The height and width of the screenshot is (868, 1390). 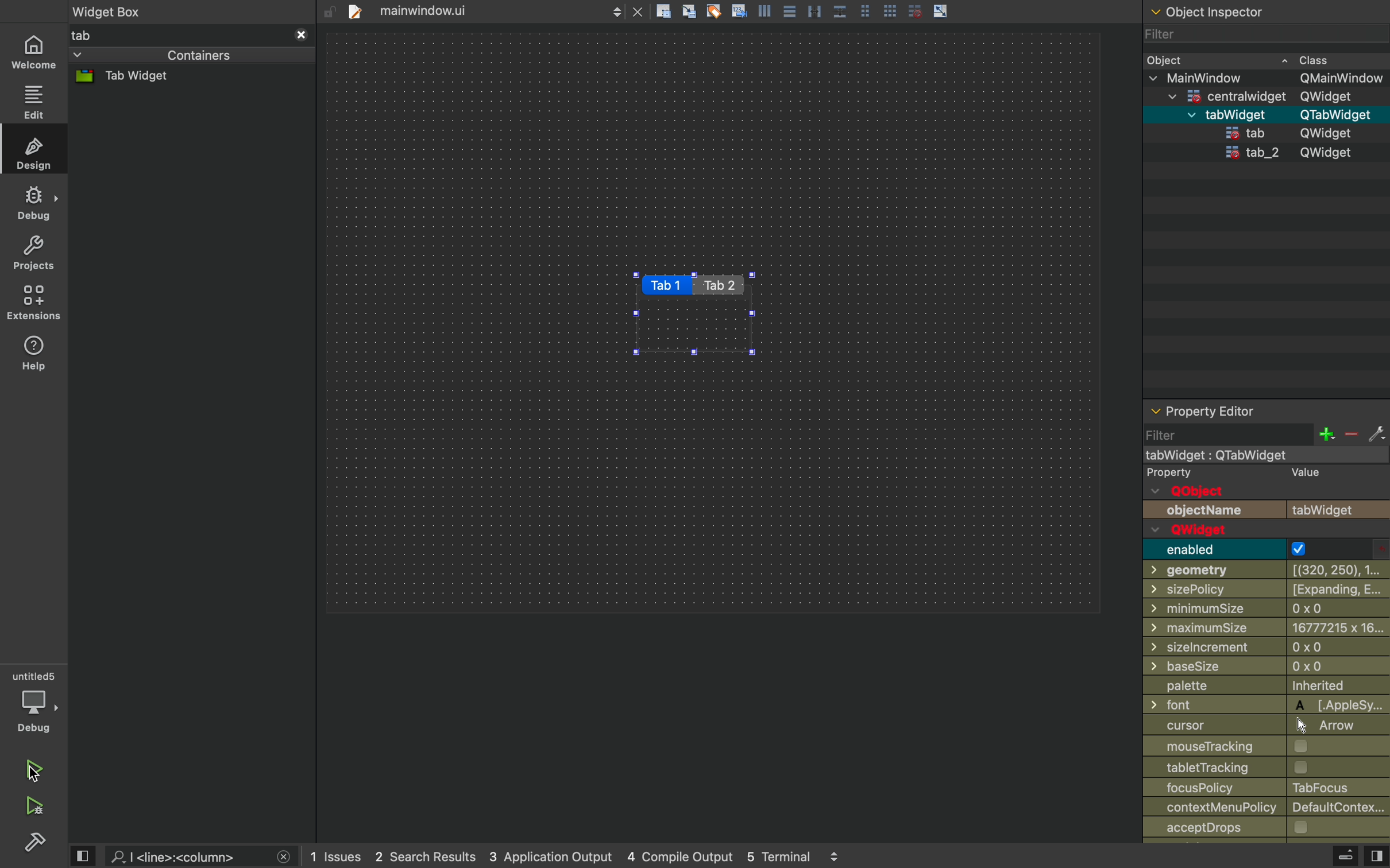 What do you see at coordinates (716, 323) in the screenshot?
I see `Design area` at bounding box center [716, 323].